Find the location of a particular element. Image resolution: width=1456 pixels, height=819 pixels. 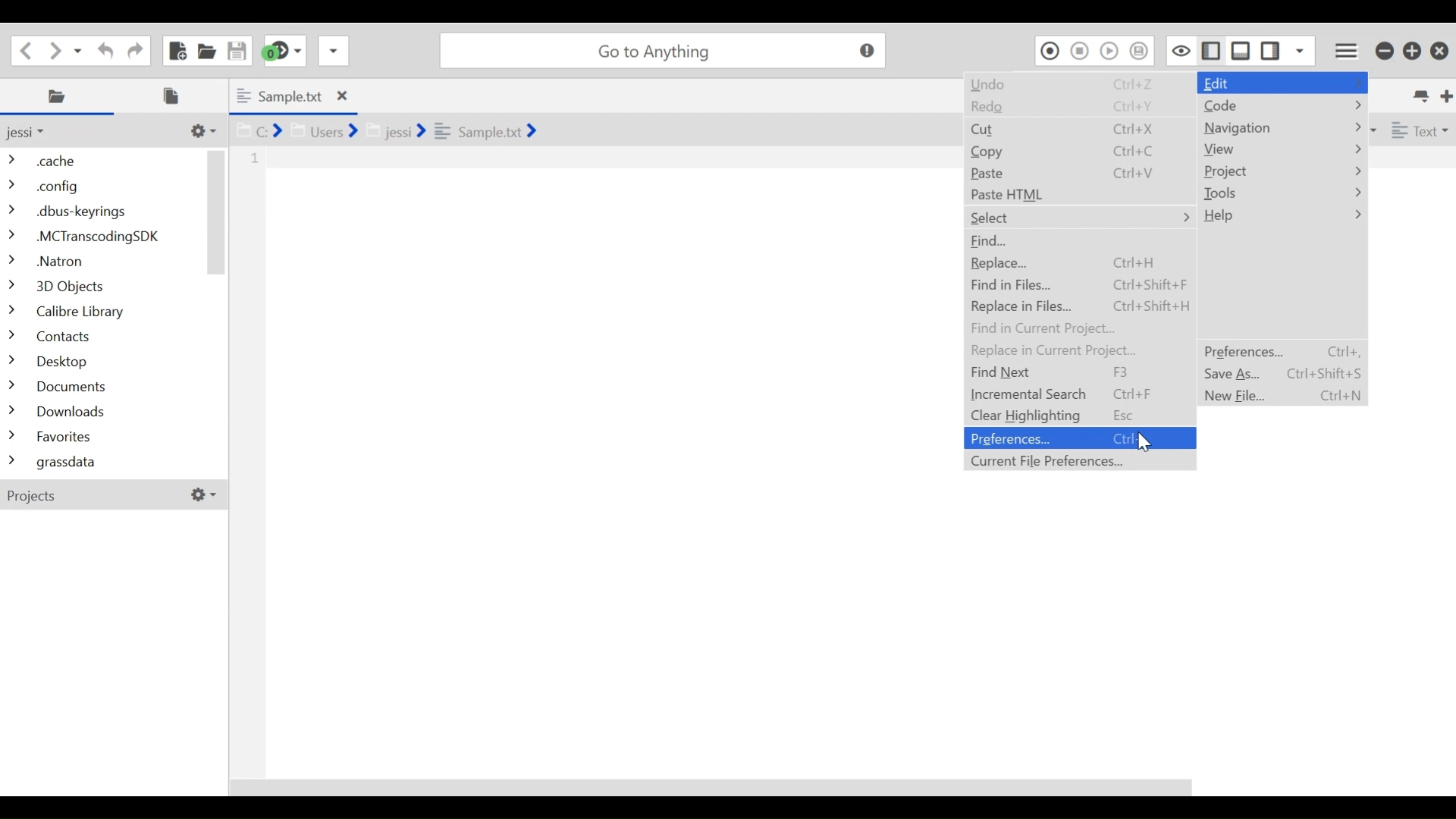

Show/Hide Bottom Pane is located at coordinates (1241, 50).